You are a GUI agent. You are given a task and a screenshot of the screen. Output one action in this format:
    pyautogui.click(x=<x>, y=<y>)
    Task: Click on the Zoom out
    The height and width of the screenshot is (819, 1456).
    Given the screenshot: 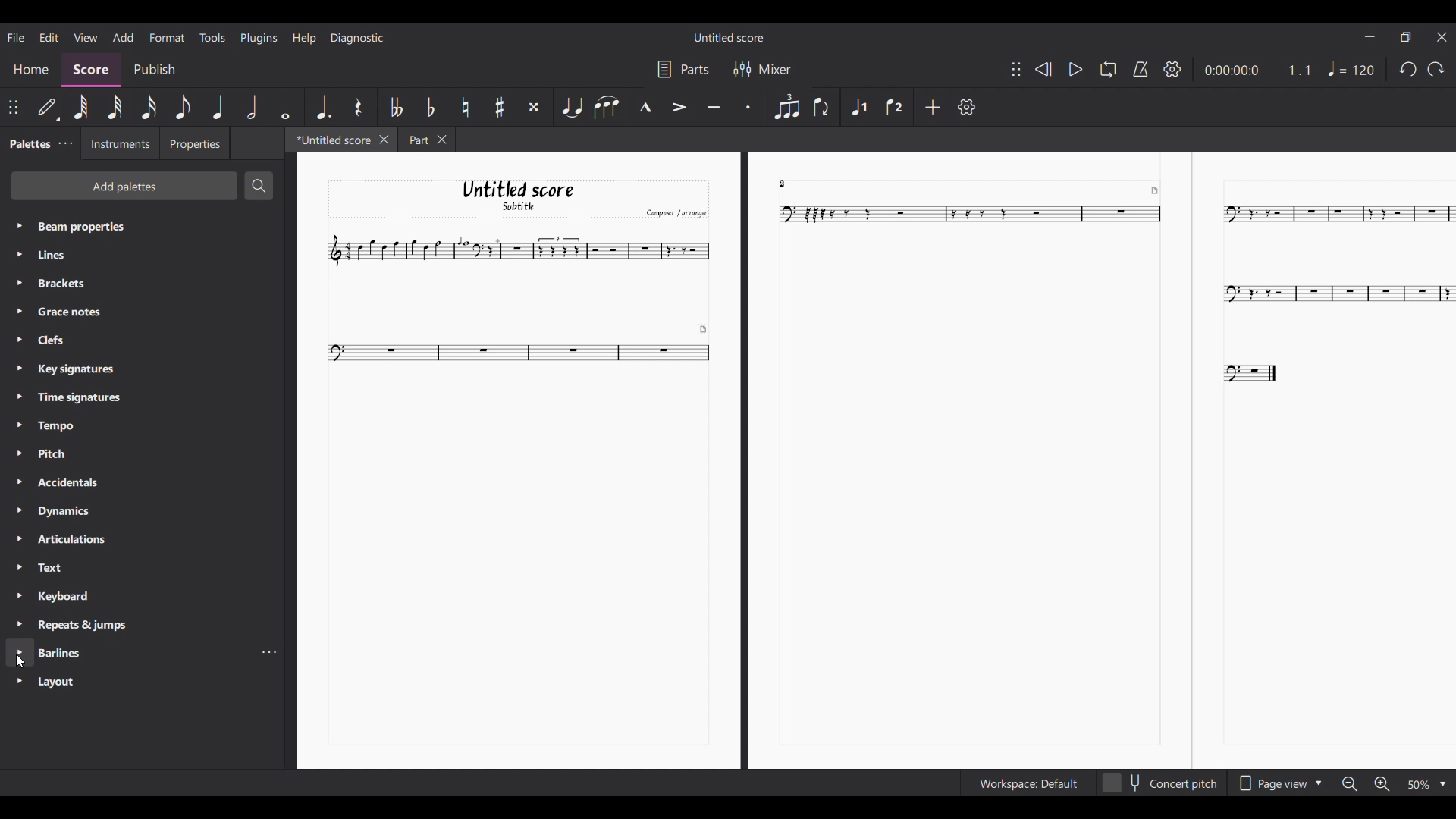 What is the action you would take?
    pyautogui.click(x=1349, y=784)
    